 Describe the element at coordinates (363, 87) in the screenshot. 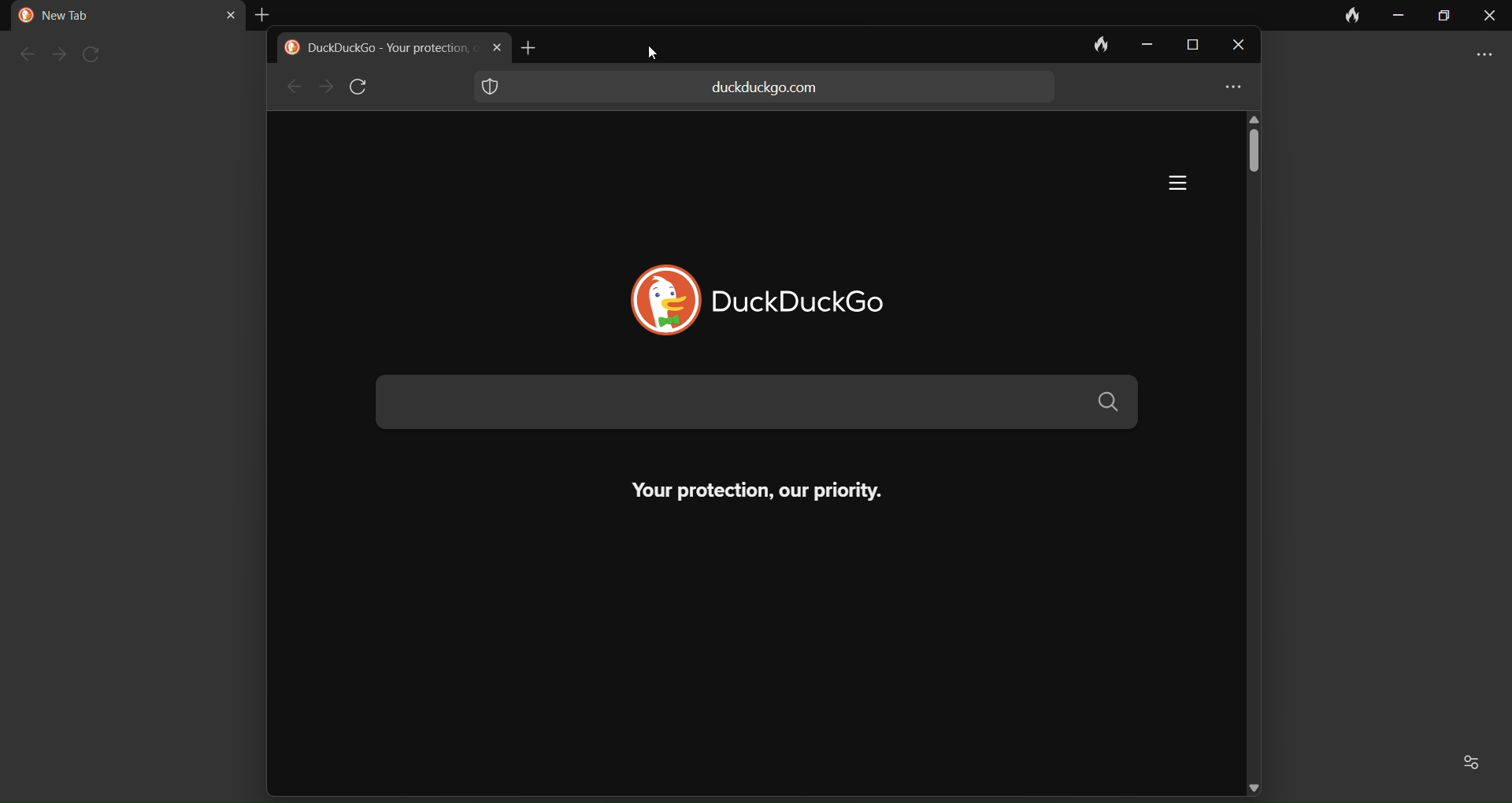

I see `refresh` at that location.